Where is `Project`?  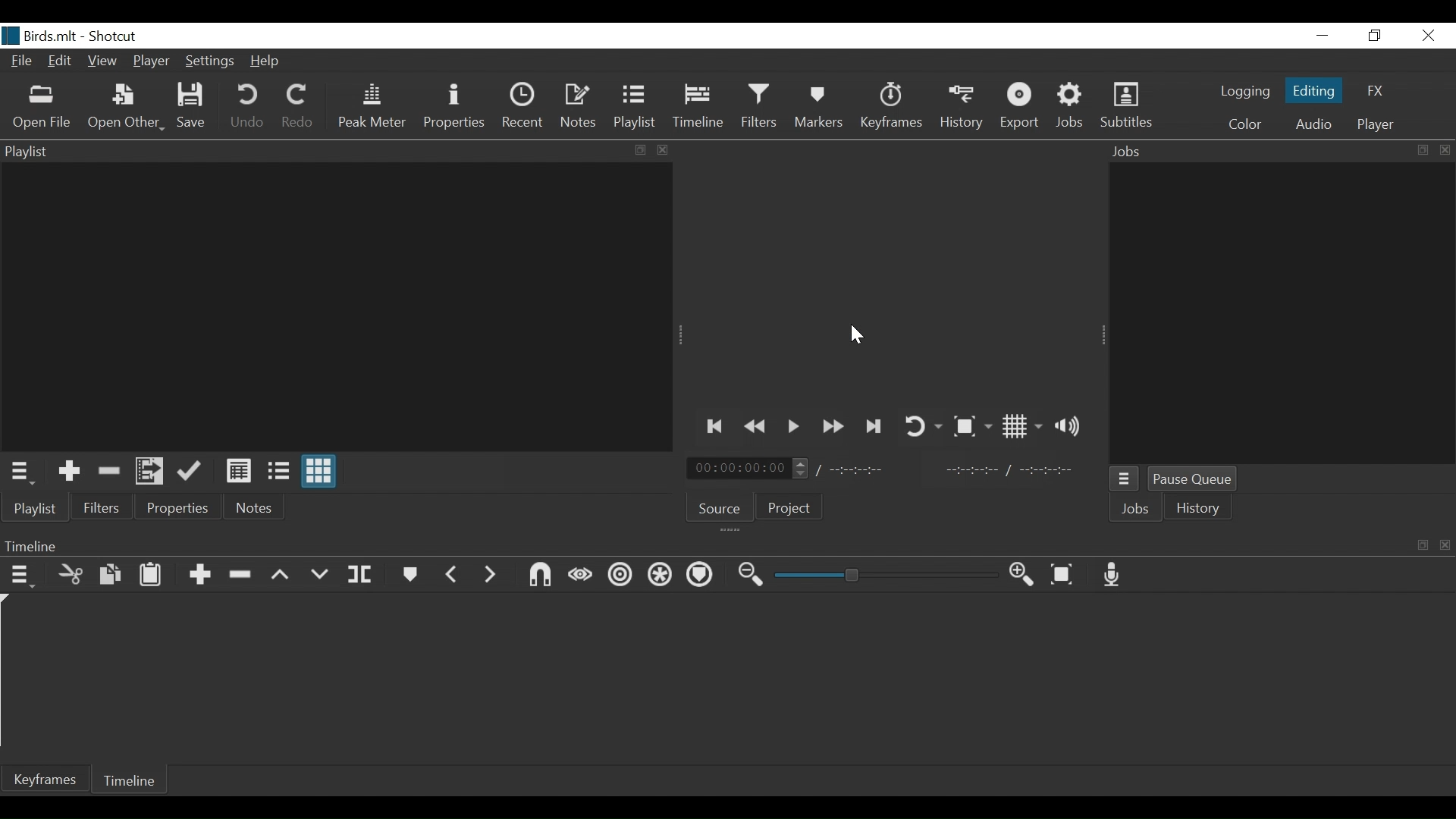
Project is located at coordinates (790, 510).